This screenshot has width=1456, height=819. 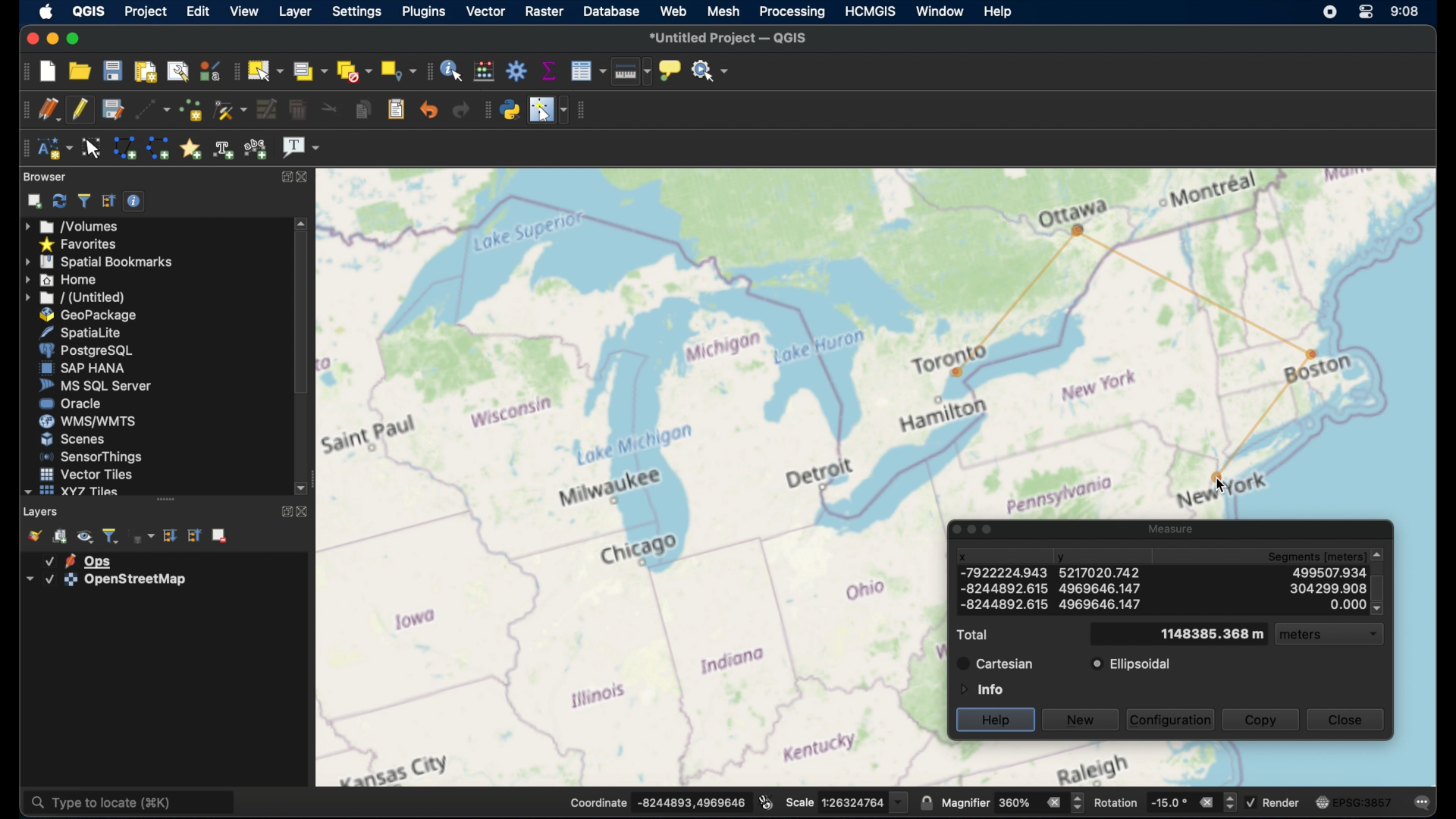 What do you see at coordinates (54, 149) in the screenshot?
I see `new annotation layer` at bounding box center [54, 149].